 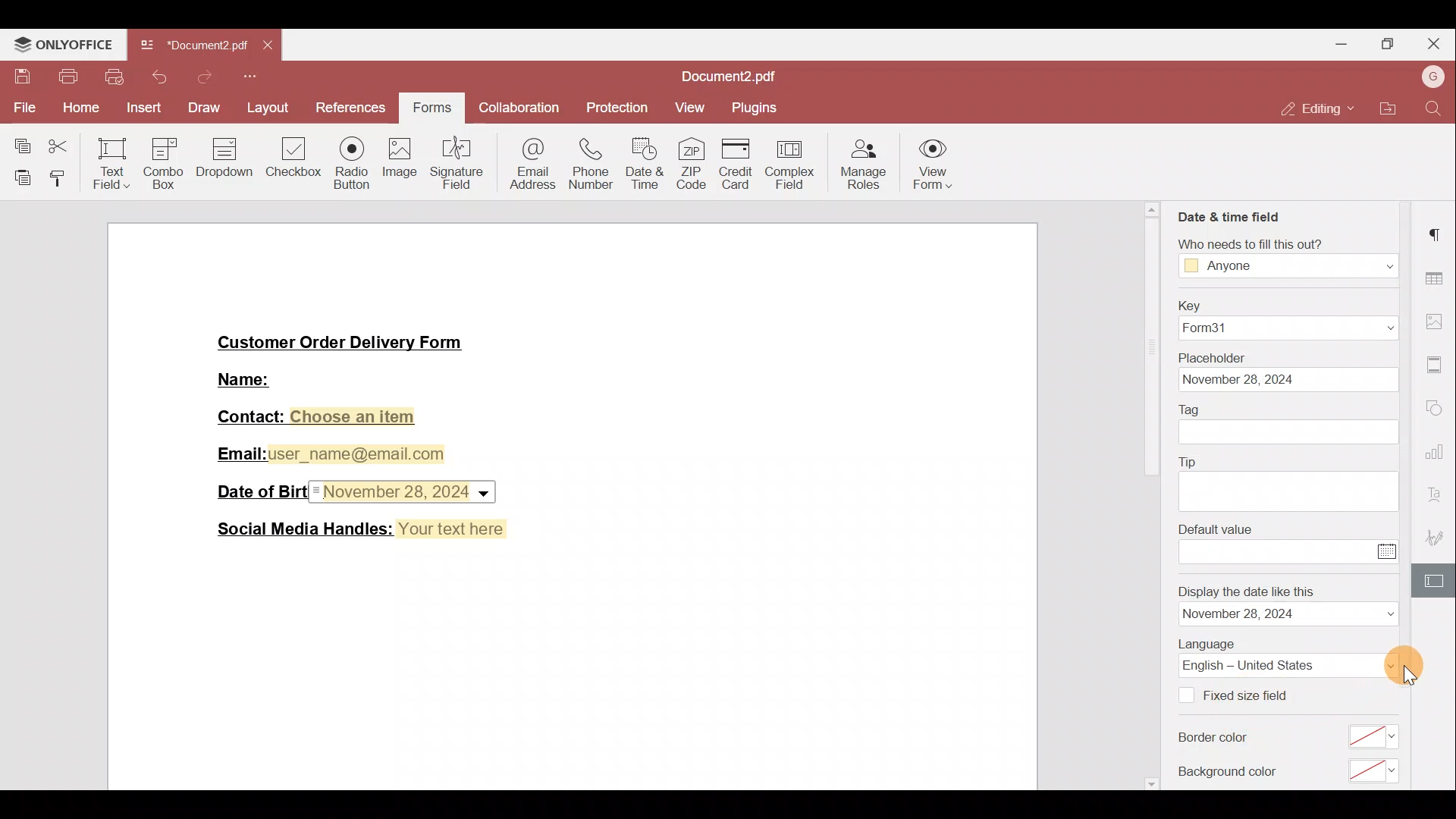 What do you see at coordinates (1436, 409) in the screenshot?
I see `Shapes settings` at bounding box center [1436, 409].